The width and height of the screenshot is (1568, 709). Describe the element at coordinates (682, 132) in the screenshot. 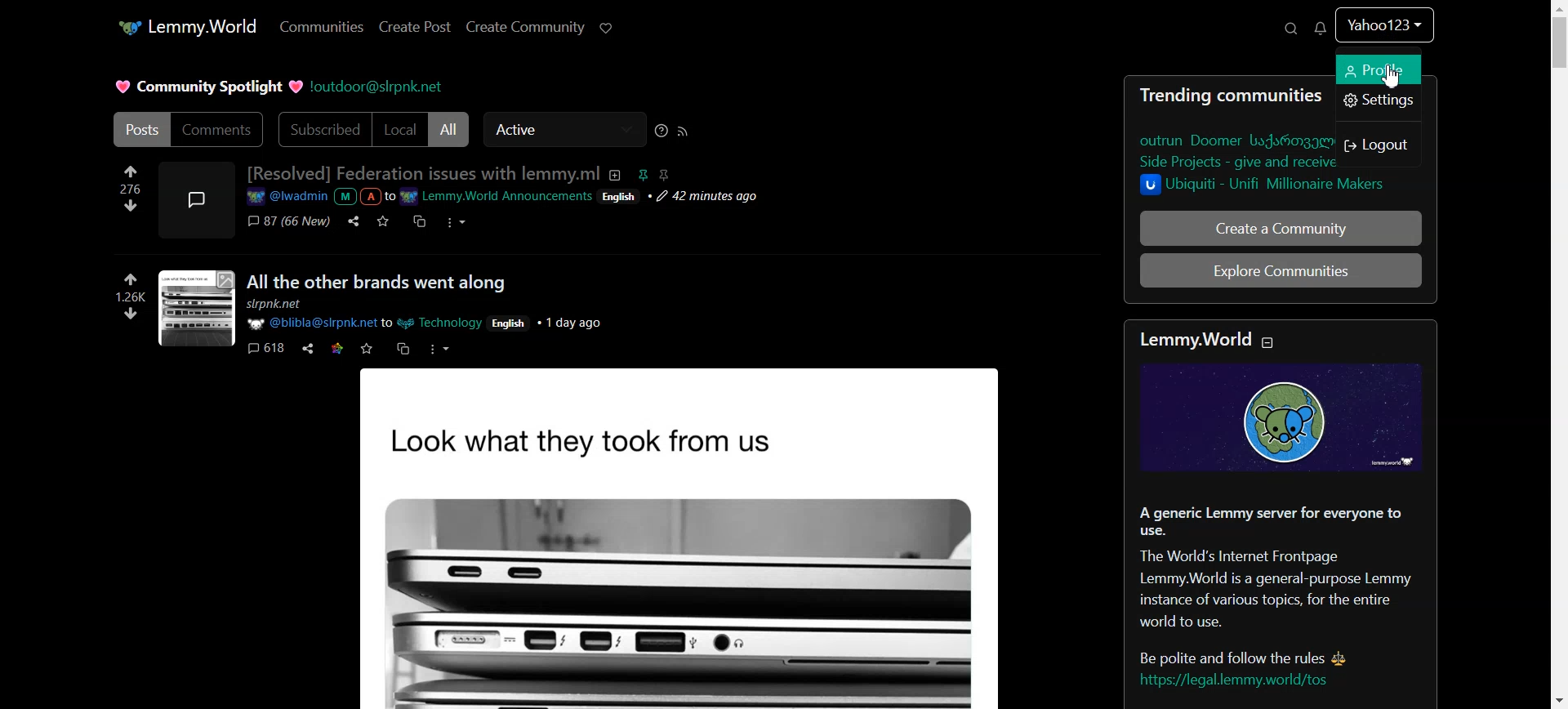

I see `RSS` at that location.